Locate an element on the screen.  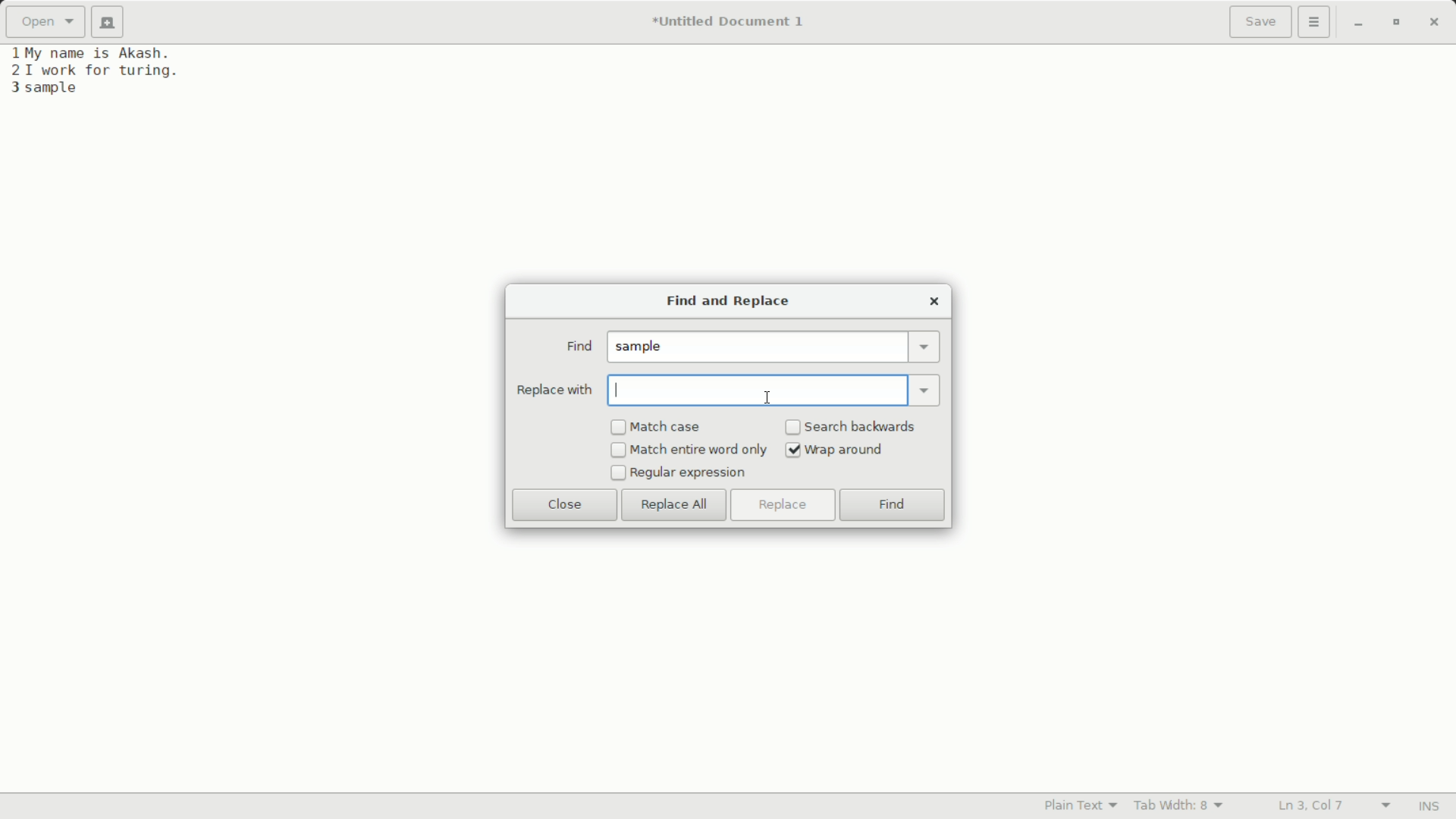
save is located at coordinates (1261, 24).